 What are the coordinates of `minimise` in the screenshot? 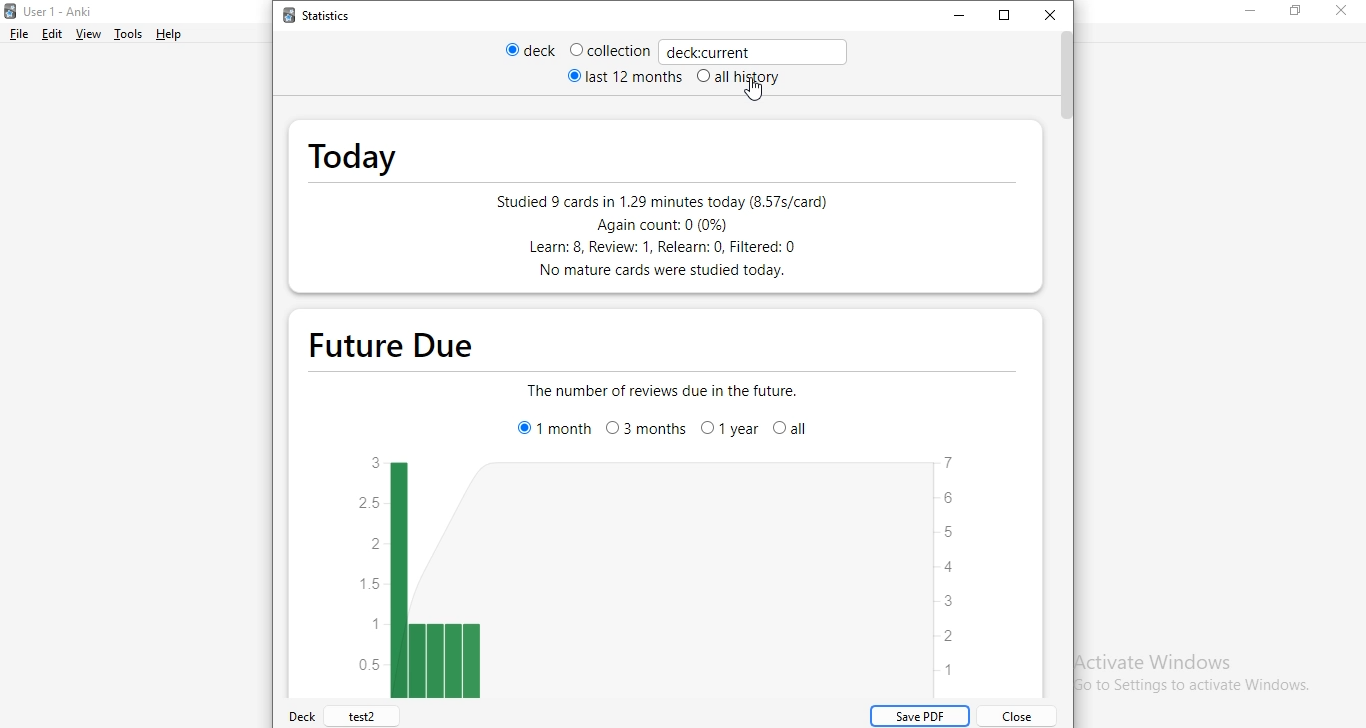 It's located at (948, 16).